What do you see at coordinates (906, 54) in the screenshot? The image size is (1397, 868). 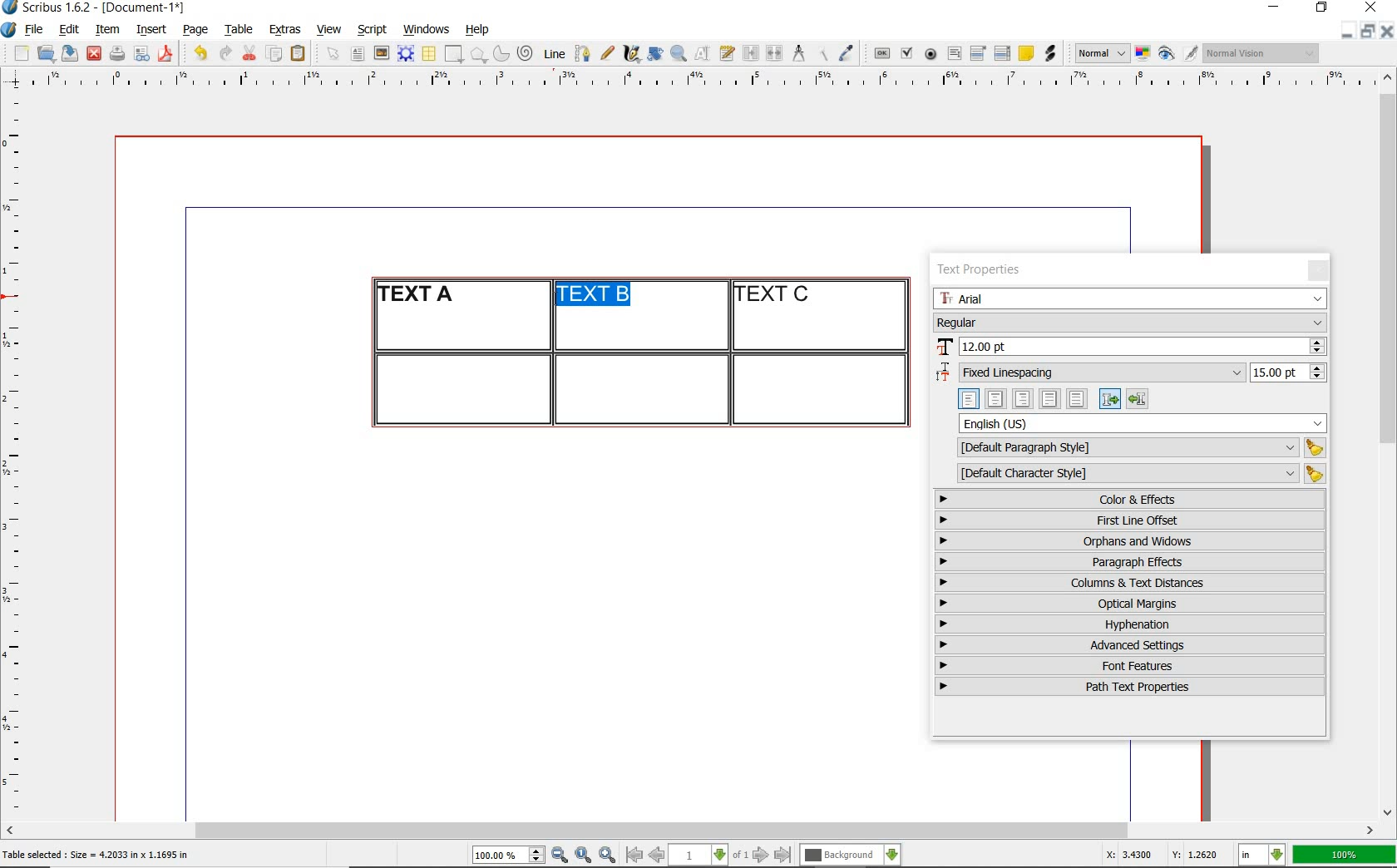 I see `pdf check box` at bounding box center [906, 54].